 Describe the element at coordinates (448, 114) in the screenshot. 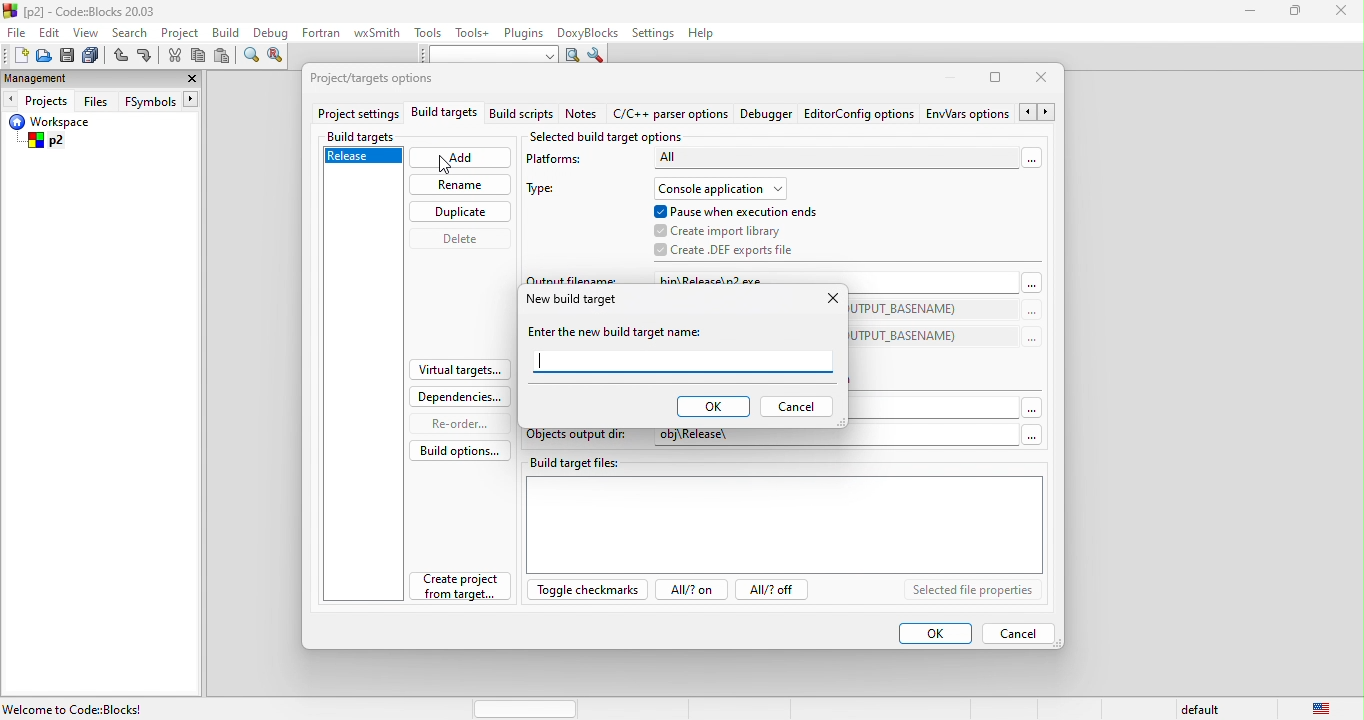

I see `build targets` at that location.